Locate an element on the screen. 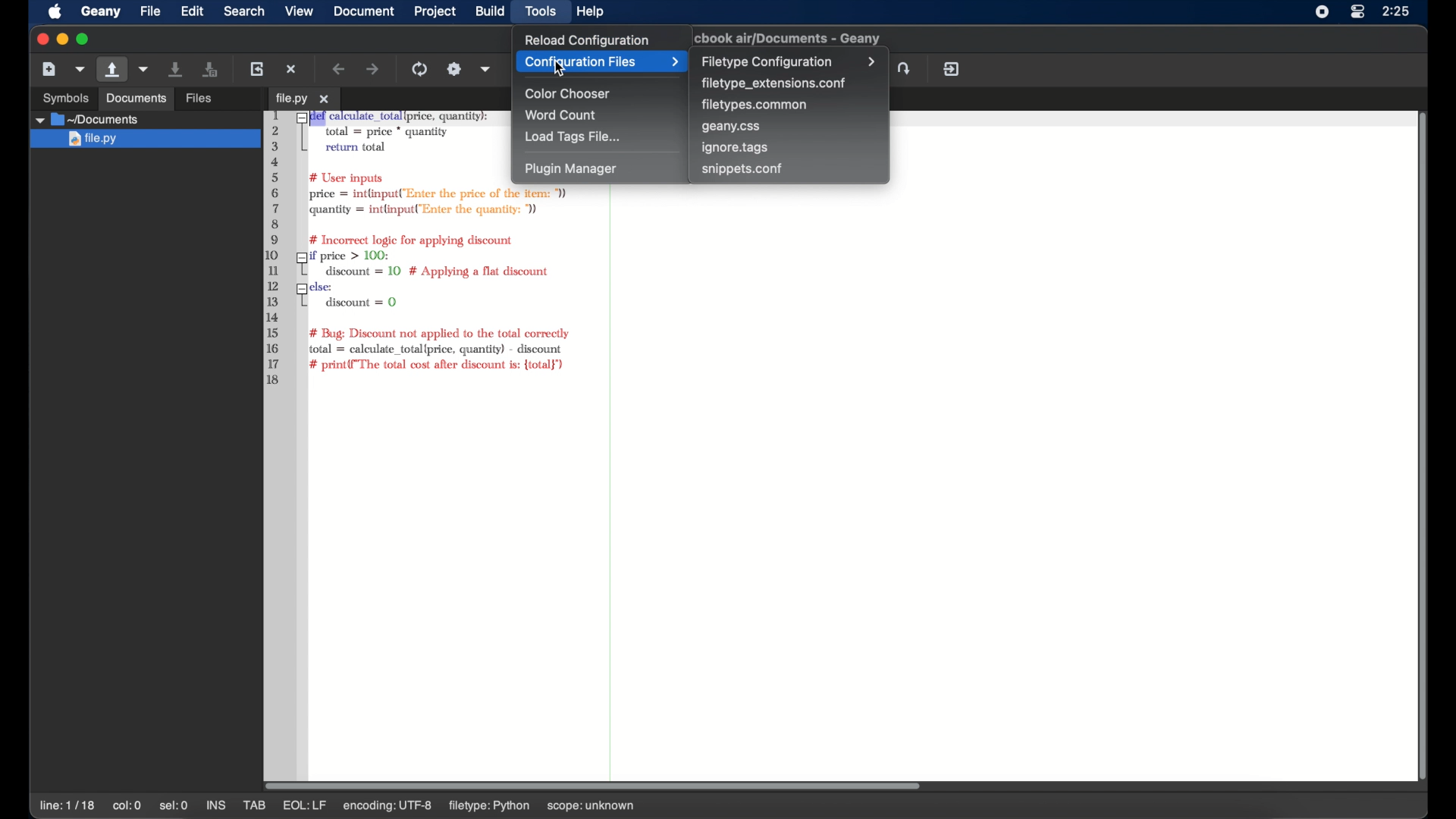 This screenshot has height=819, width=1456. open recent file is located at coordinates (145, 70).